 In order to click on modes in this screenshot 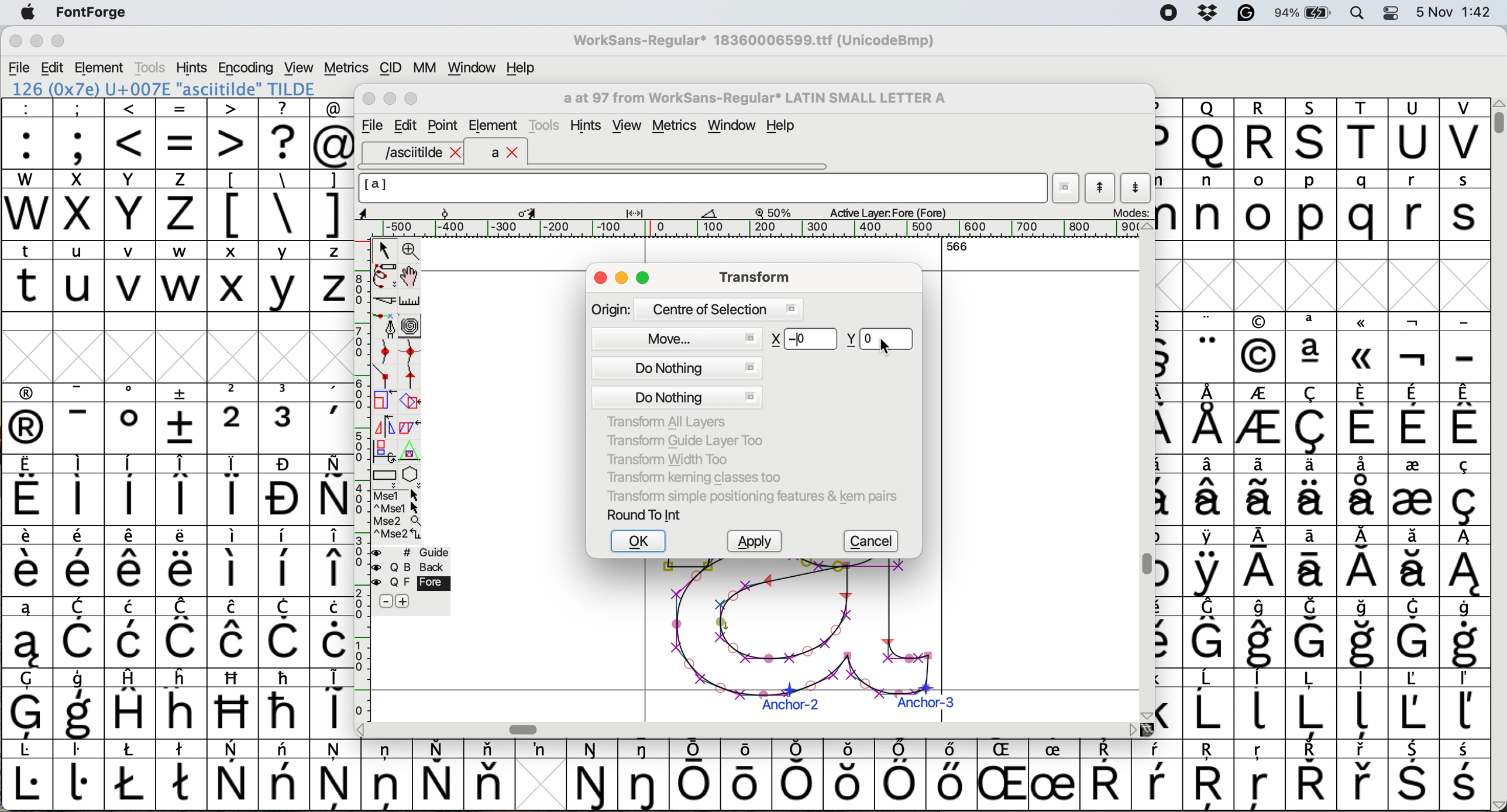, I will do `click(1130, 212)`.